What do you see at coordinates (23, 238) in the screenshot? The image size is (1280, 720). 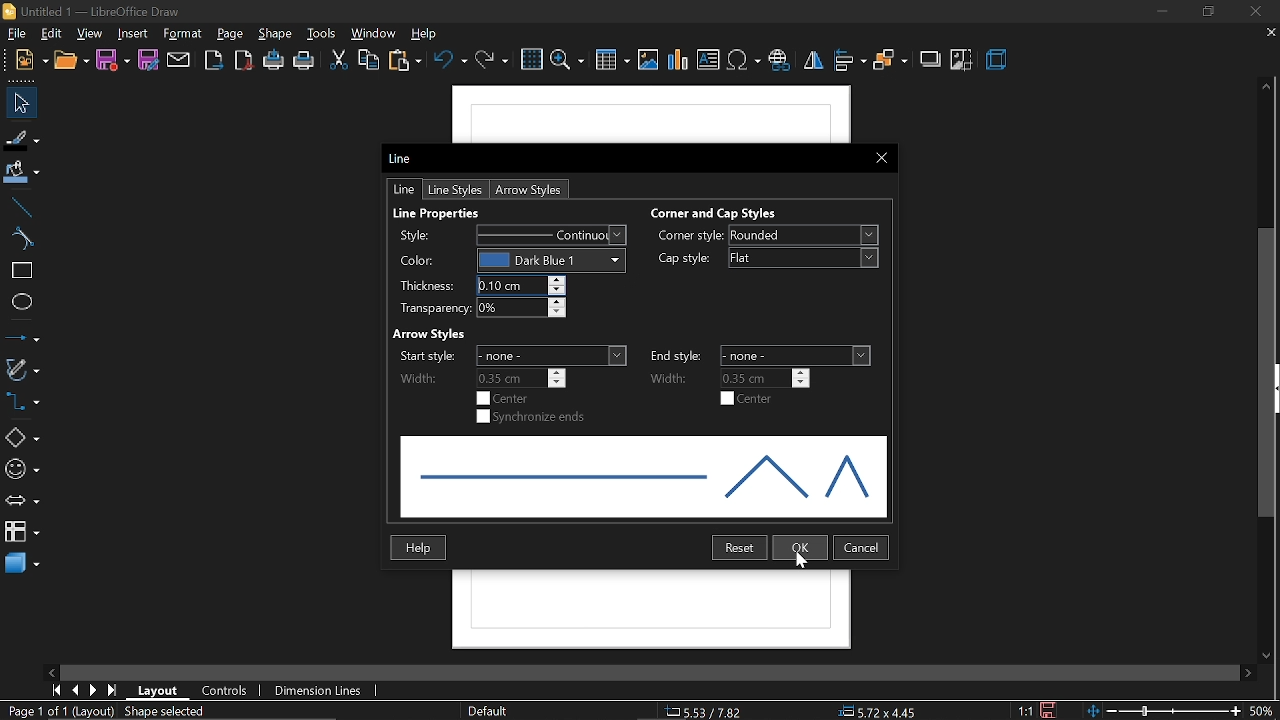 I see `curve` at bounding box center [23, 238].